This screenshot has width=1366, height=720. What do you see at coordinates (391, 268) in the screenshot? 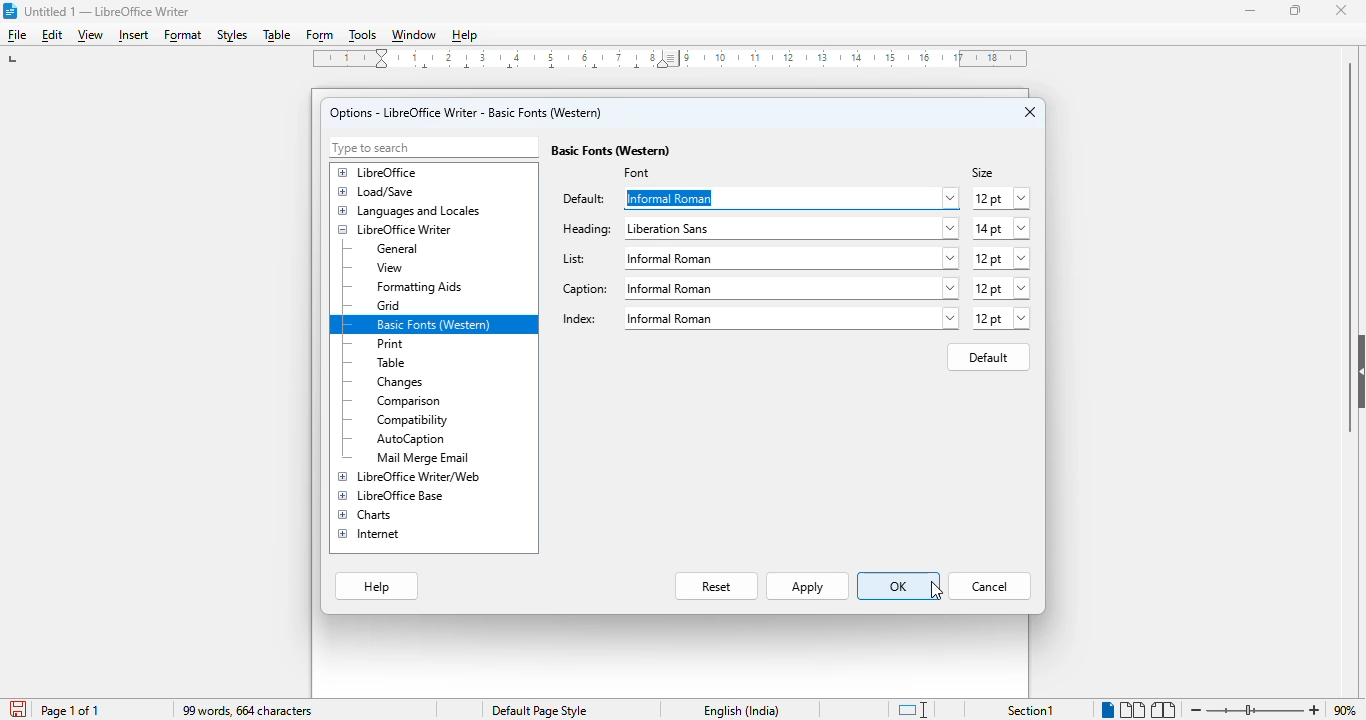
I see `view` at bounding box center [391, 268].